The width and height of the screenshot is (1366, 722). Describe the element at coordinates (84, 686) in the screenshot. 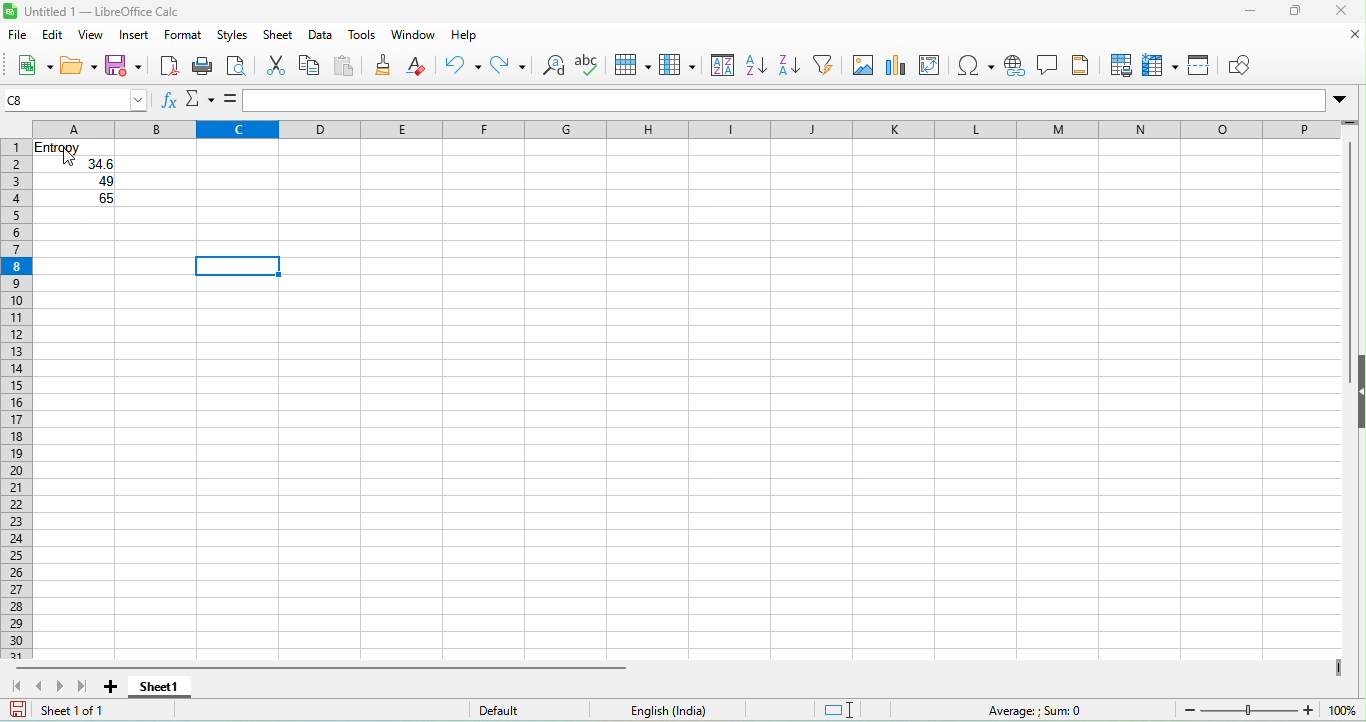

I see `scroll to last sheet` at that location.